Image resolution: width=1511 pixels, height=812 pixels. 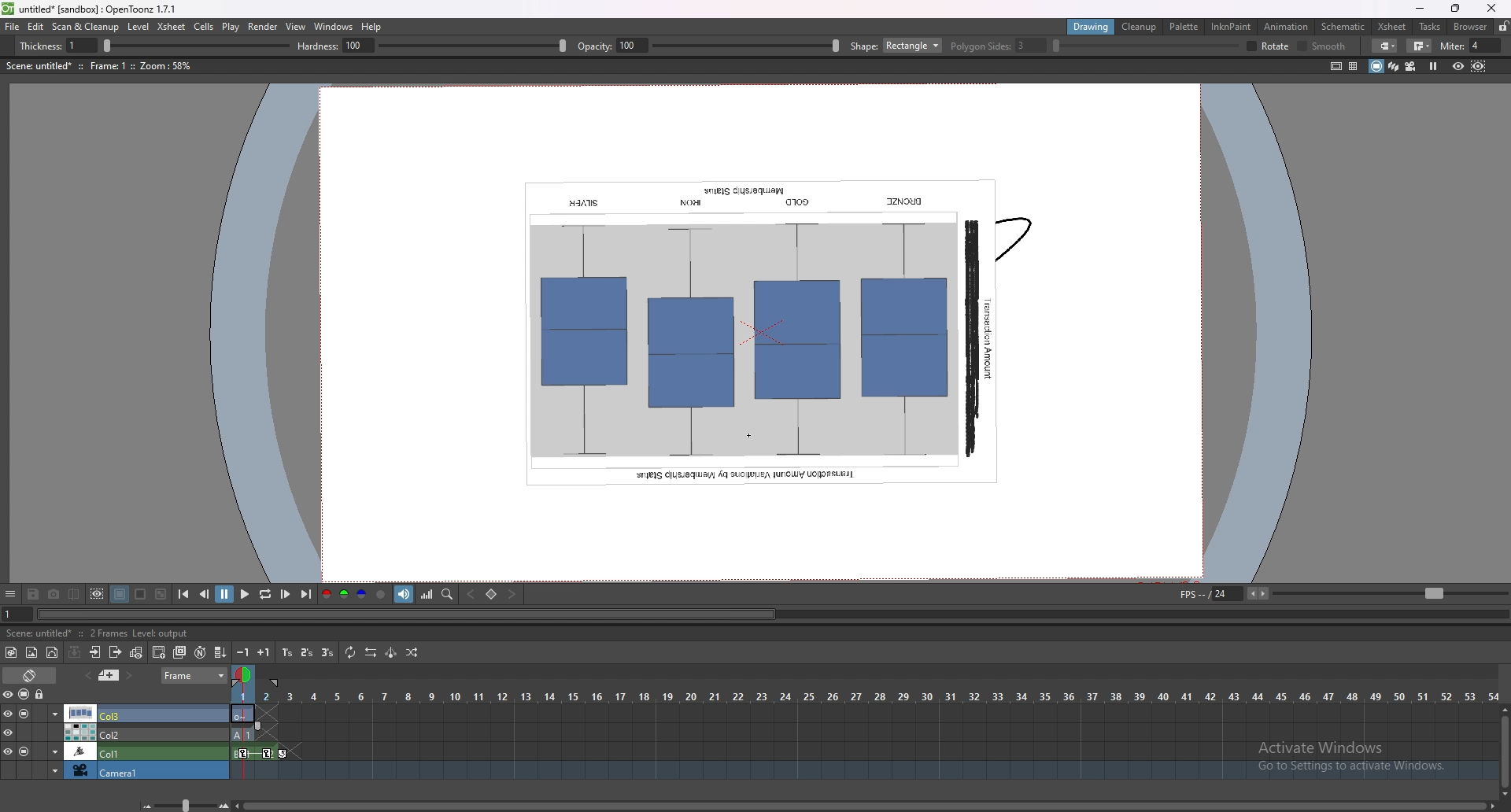 I want to click on blue channel, so click(x=362, y=595).